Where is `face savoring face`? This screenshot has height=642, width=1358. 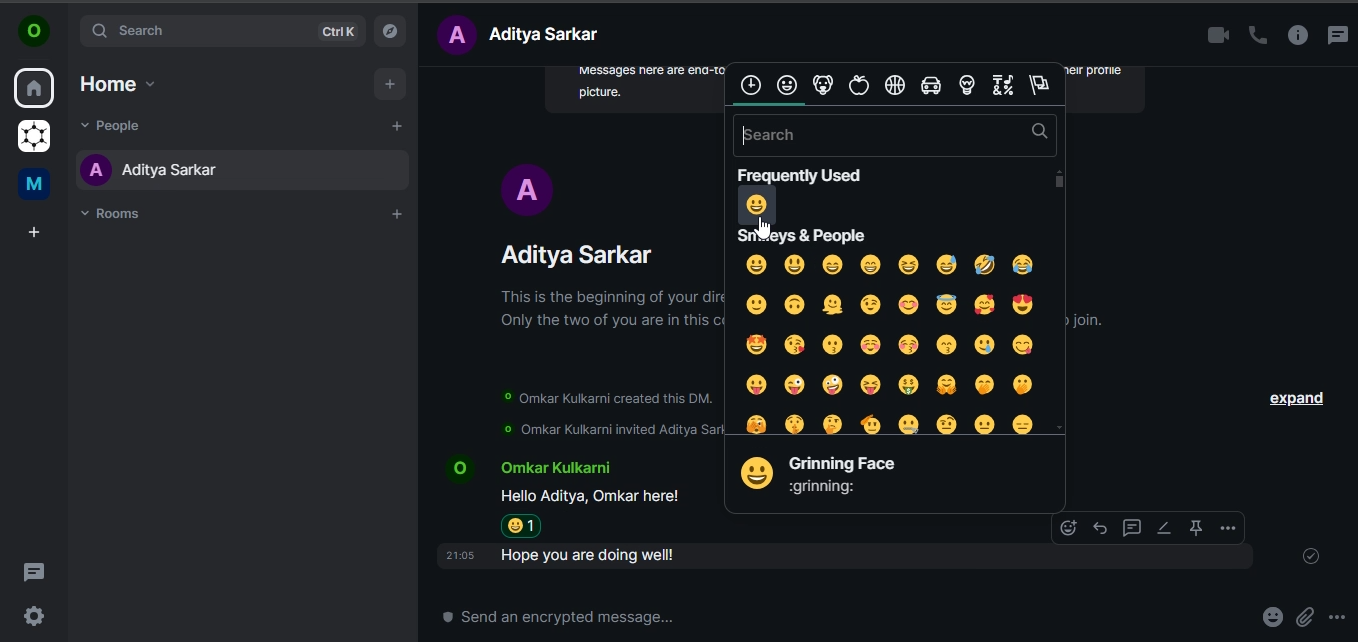 face savoring face is located at coordinates (1022, 344).